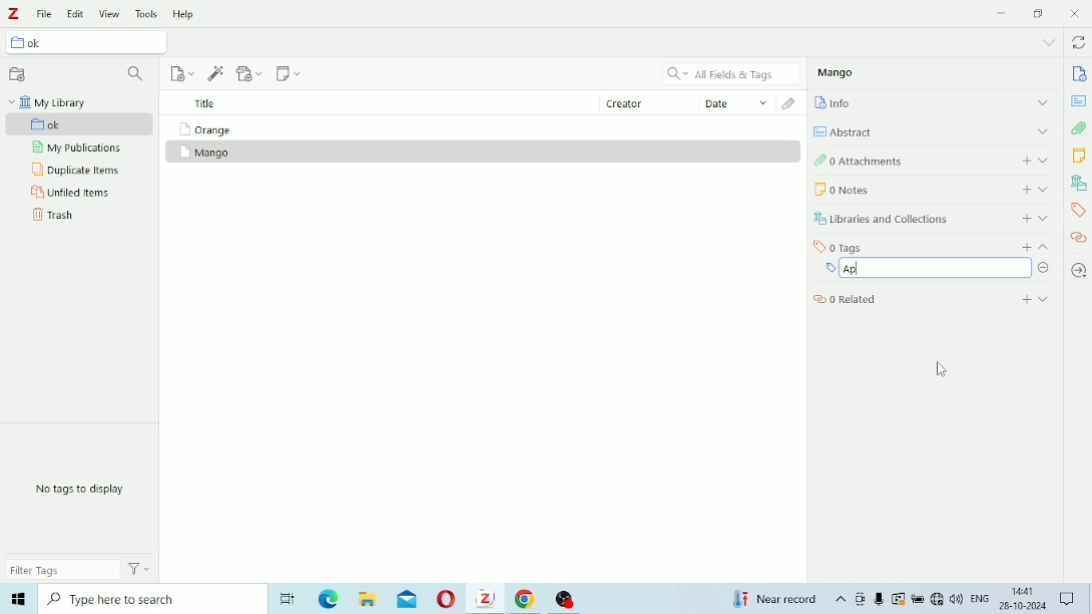 The width and height of the screenshot is (1092, 614). Describe the element at coordinates (152, 599) in the screenshot. I see `Type here to search` at that location.